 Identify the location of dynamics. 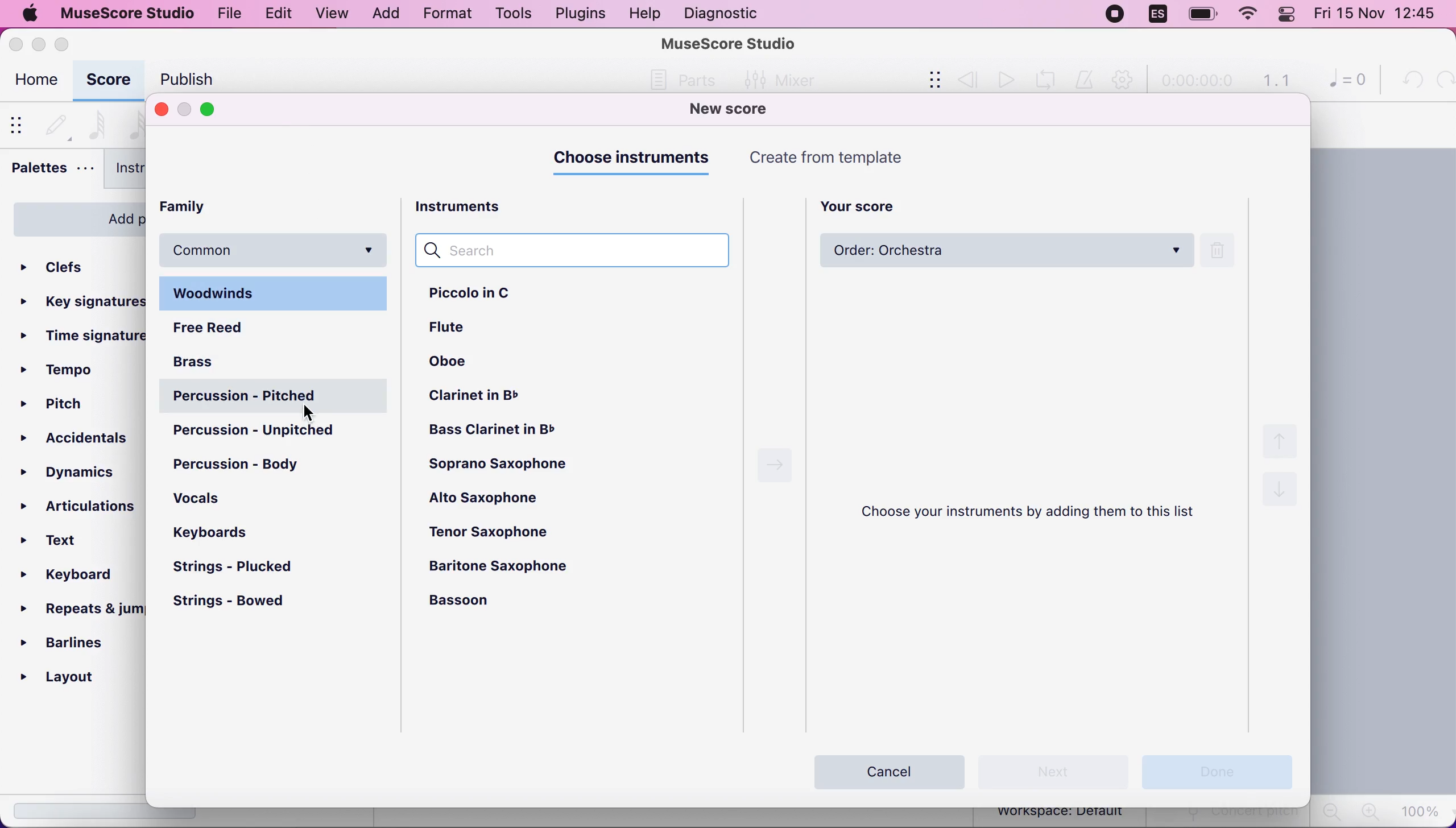
(78, 470).